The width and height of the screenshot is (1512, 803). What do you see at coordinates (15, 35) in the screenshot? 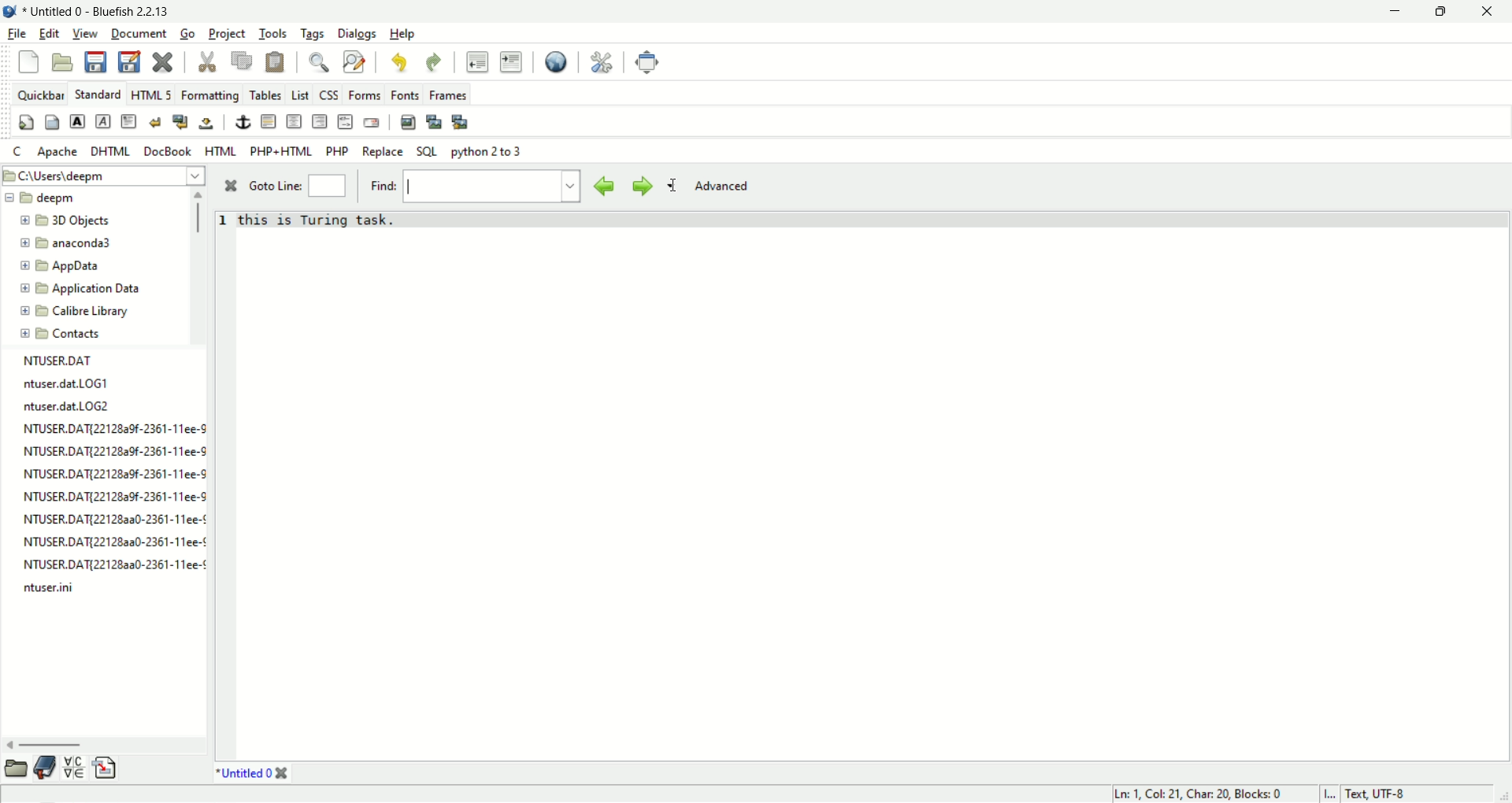
I see `file` at bounding box center [15, 35].